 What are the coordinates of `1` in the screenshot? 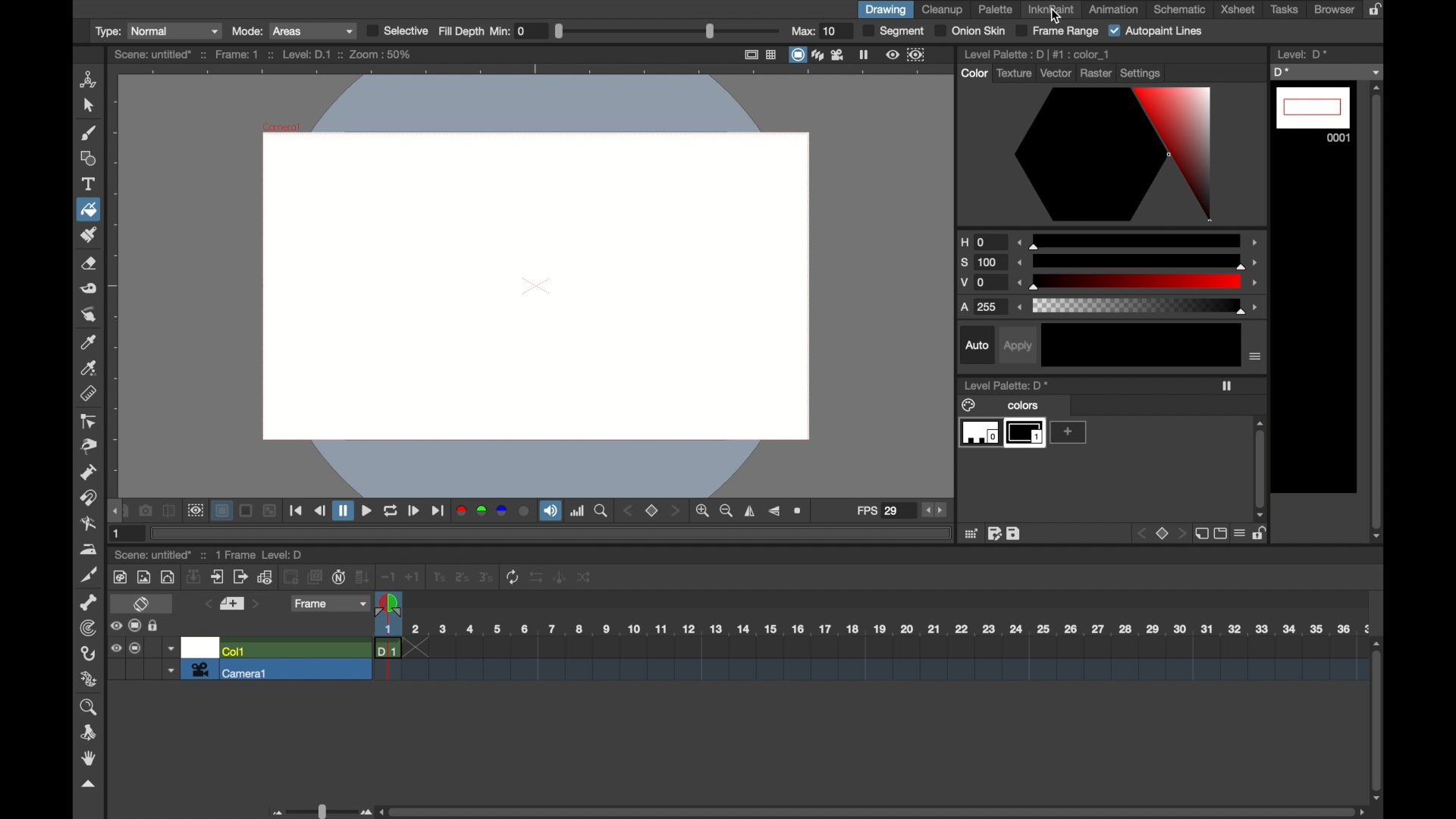 It's located at (119, 532).